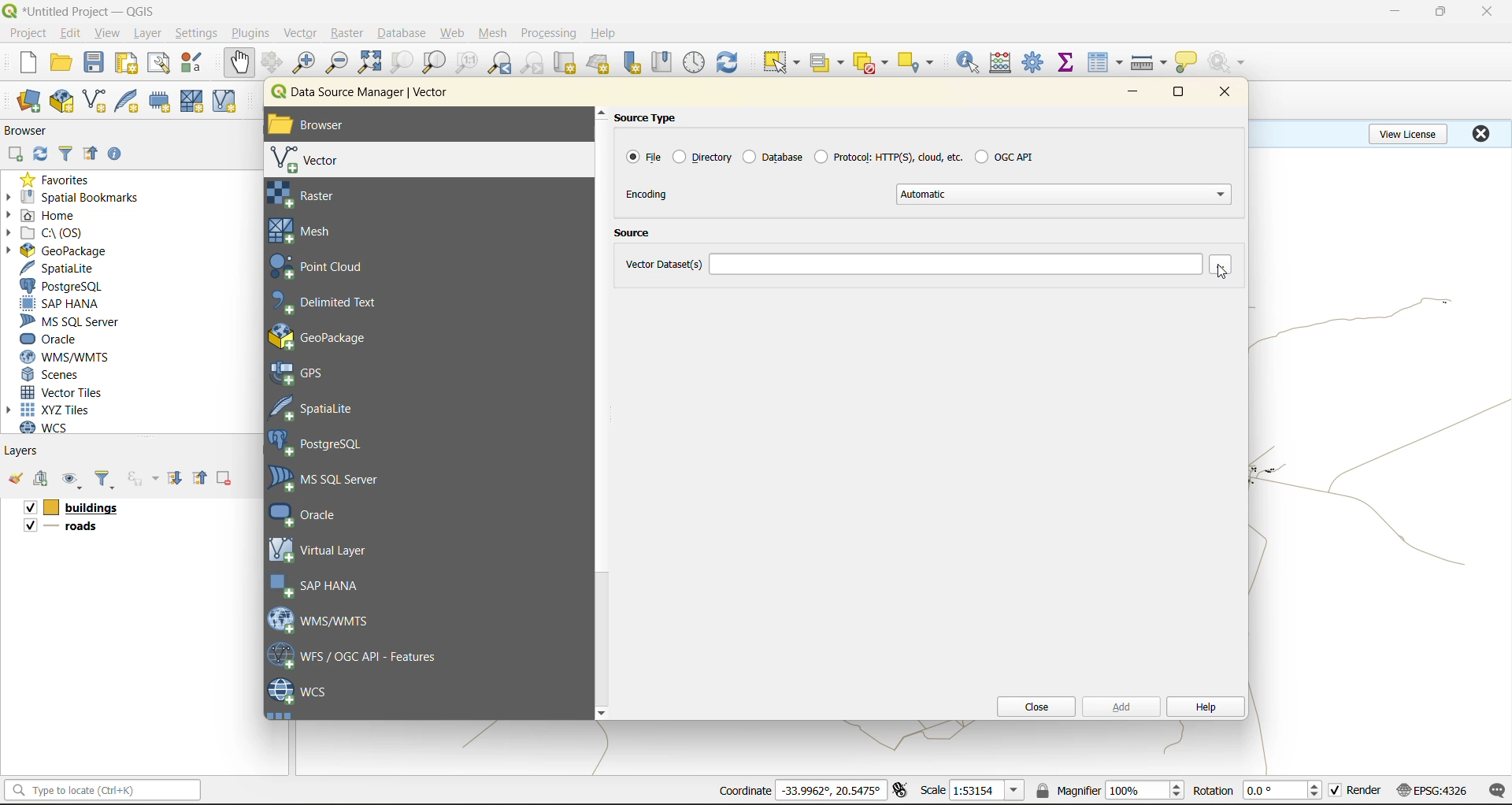  I want to click on zoom full, so click(369, 62).